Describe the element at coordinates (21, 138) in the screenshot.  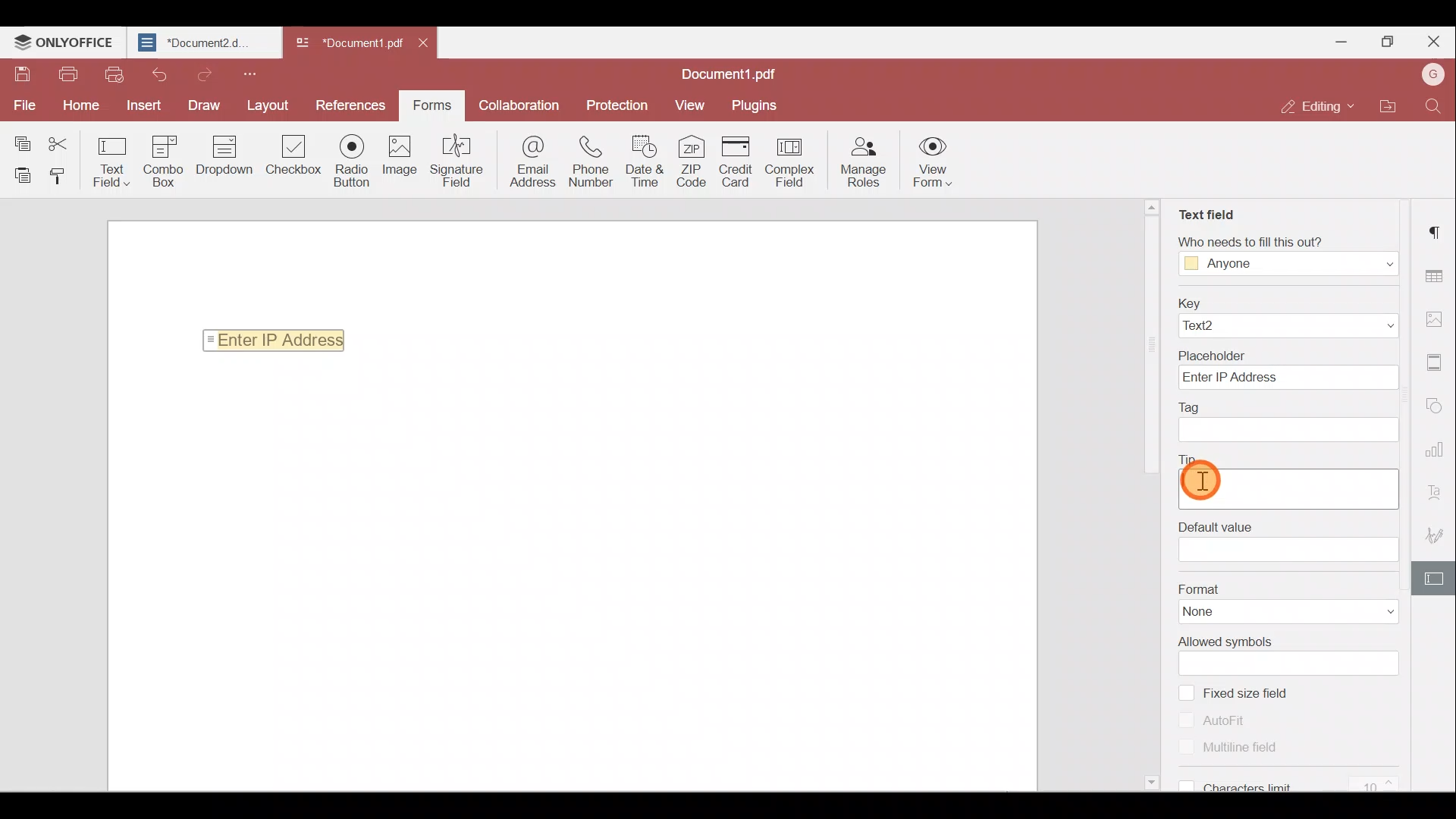
I see `Copy` at that location.